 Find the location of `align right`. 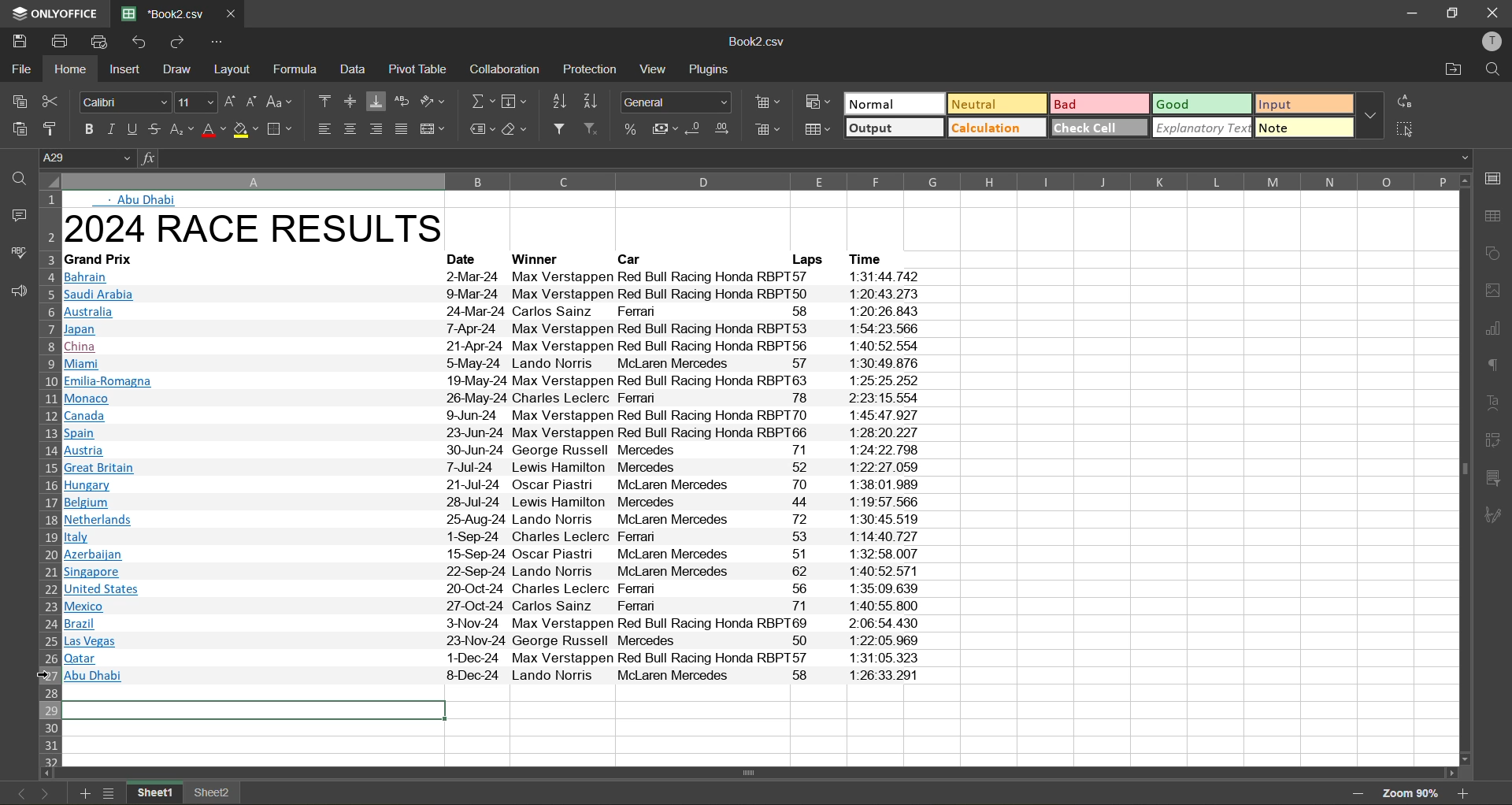

align right is located at coordinates (380, 129).